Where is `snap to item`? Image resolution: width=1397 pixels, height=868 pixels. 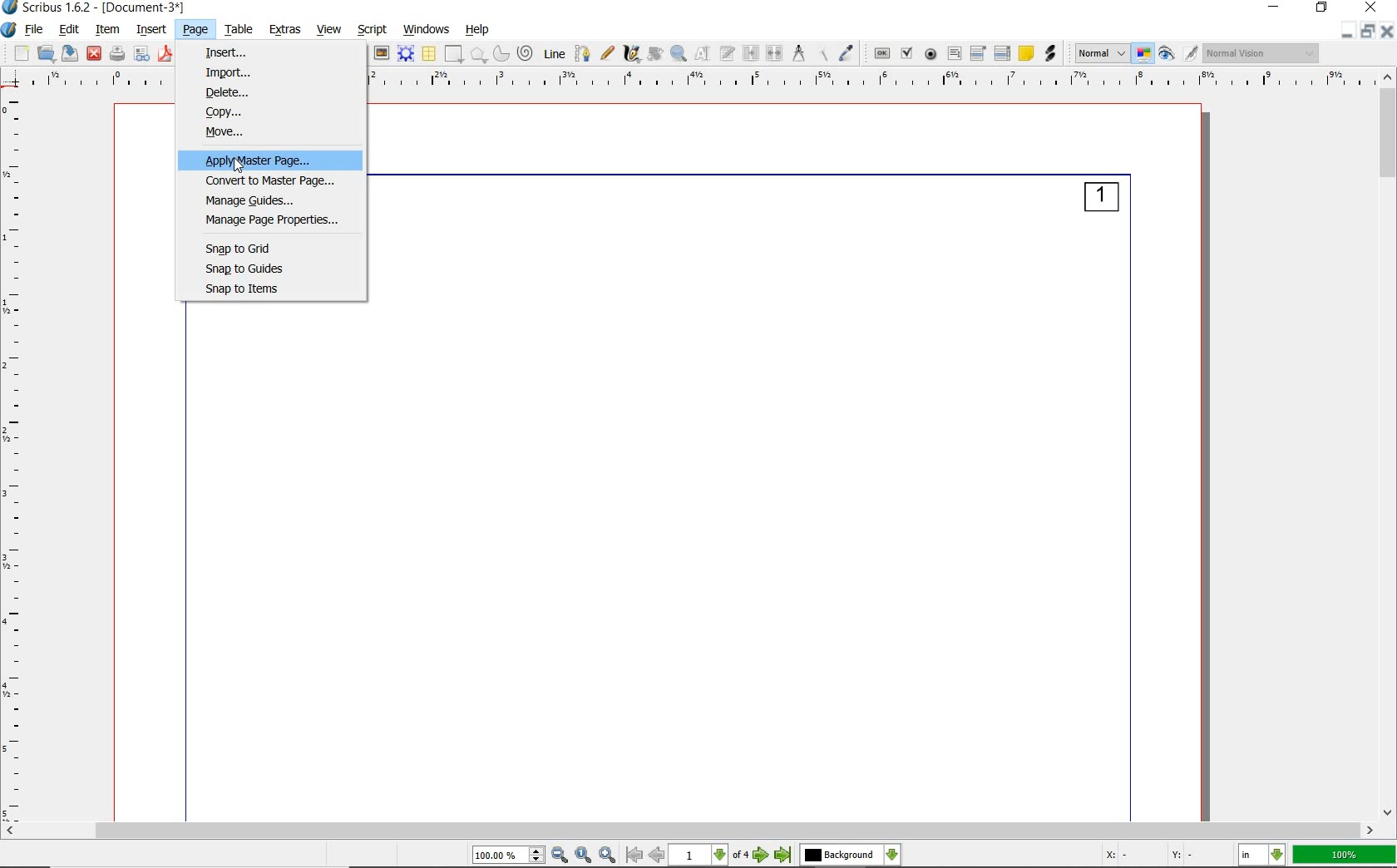 snap to item is located at coordinates (257, 290).